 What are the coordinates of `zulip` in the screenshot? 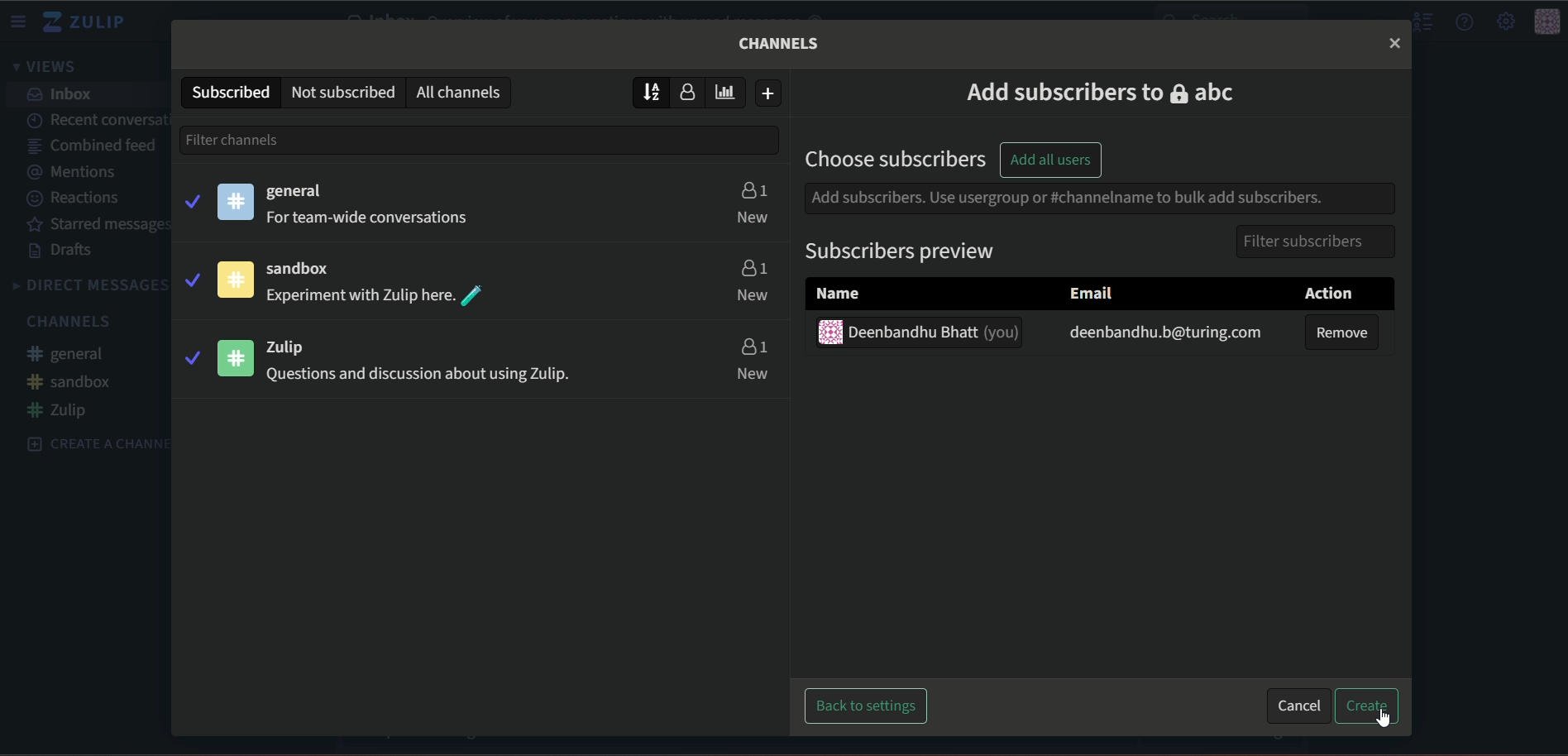 It's located at (298, 345).